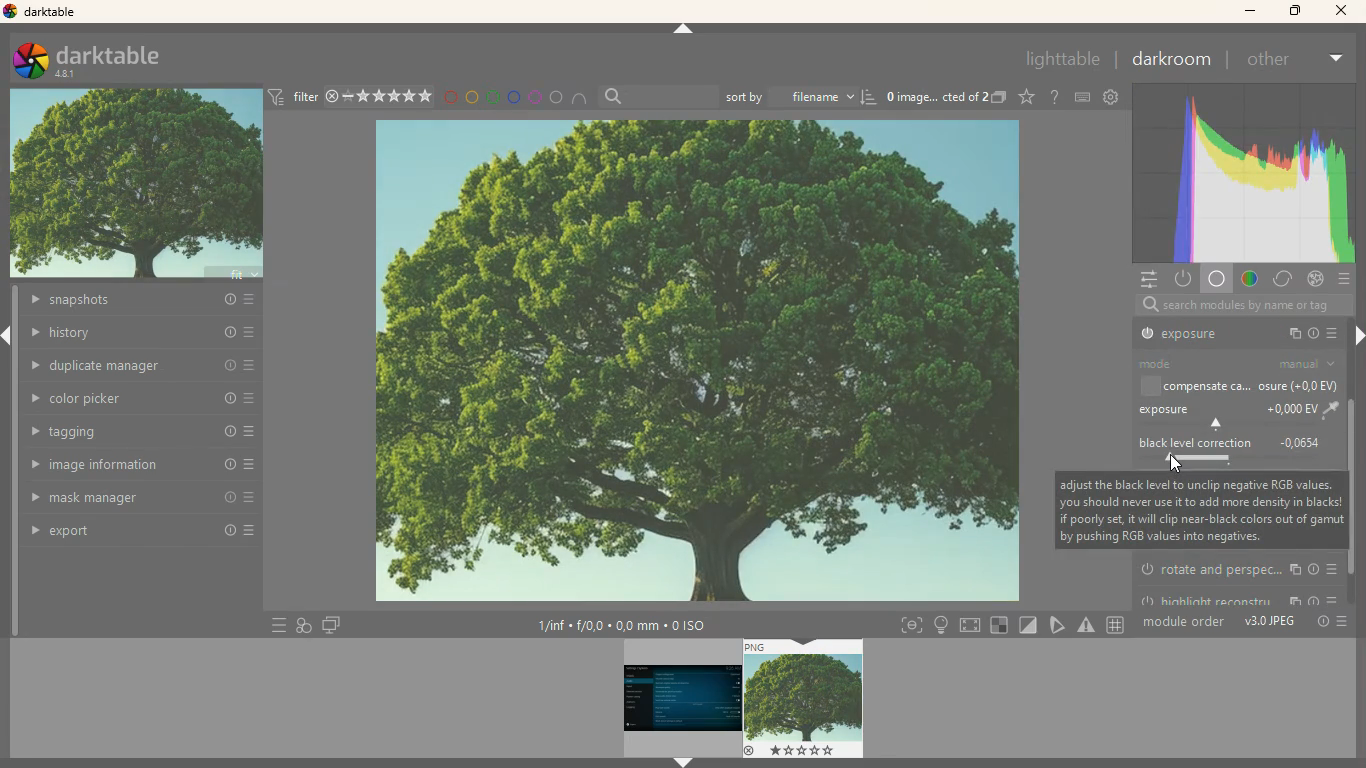 Image resolution: width=1366 pixels, height=768 pixels. Describe the element at coordinates (1201, 509) in the screenshot. I see `description` at that location.